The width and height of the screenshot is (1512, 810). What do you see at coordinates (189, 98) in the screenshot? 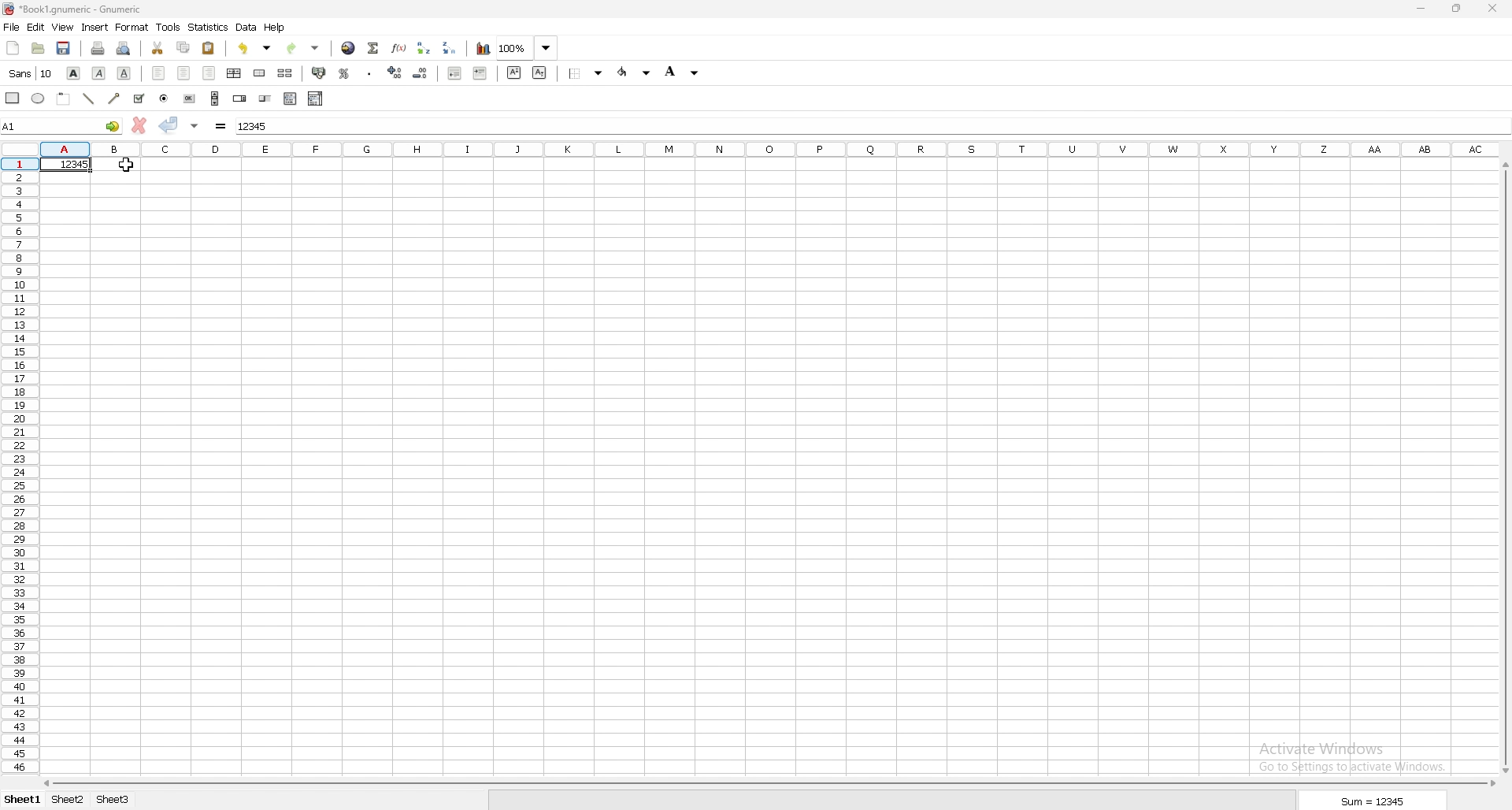
I see `button` at bounding box center [189, 98].